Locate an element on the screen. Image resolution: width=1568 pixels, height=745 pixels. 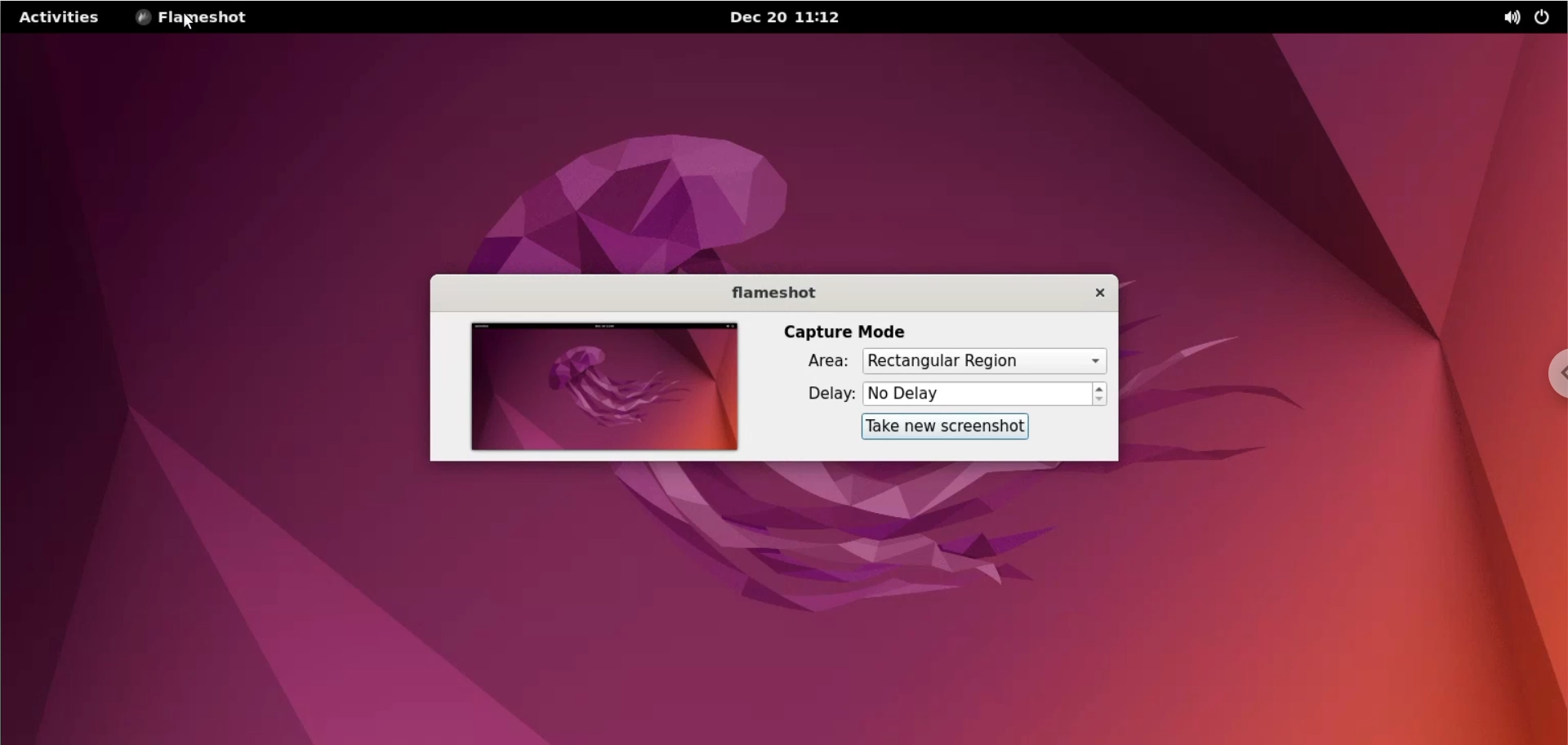
delay  is located at coordinates (817, 396).